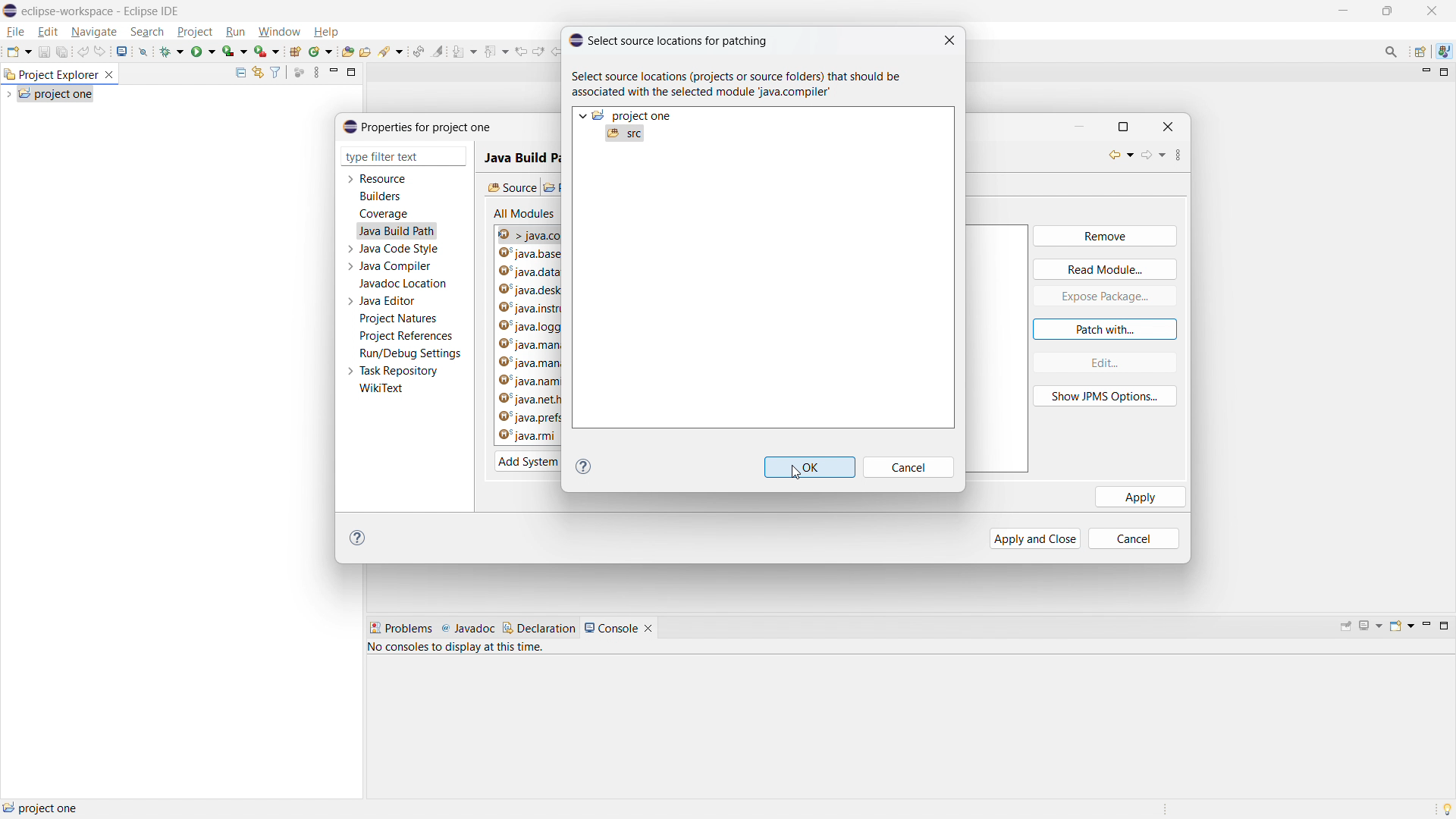  I want to click on eclipse-workspace - Eclipse IDE, so click(101, 11).